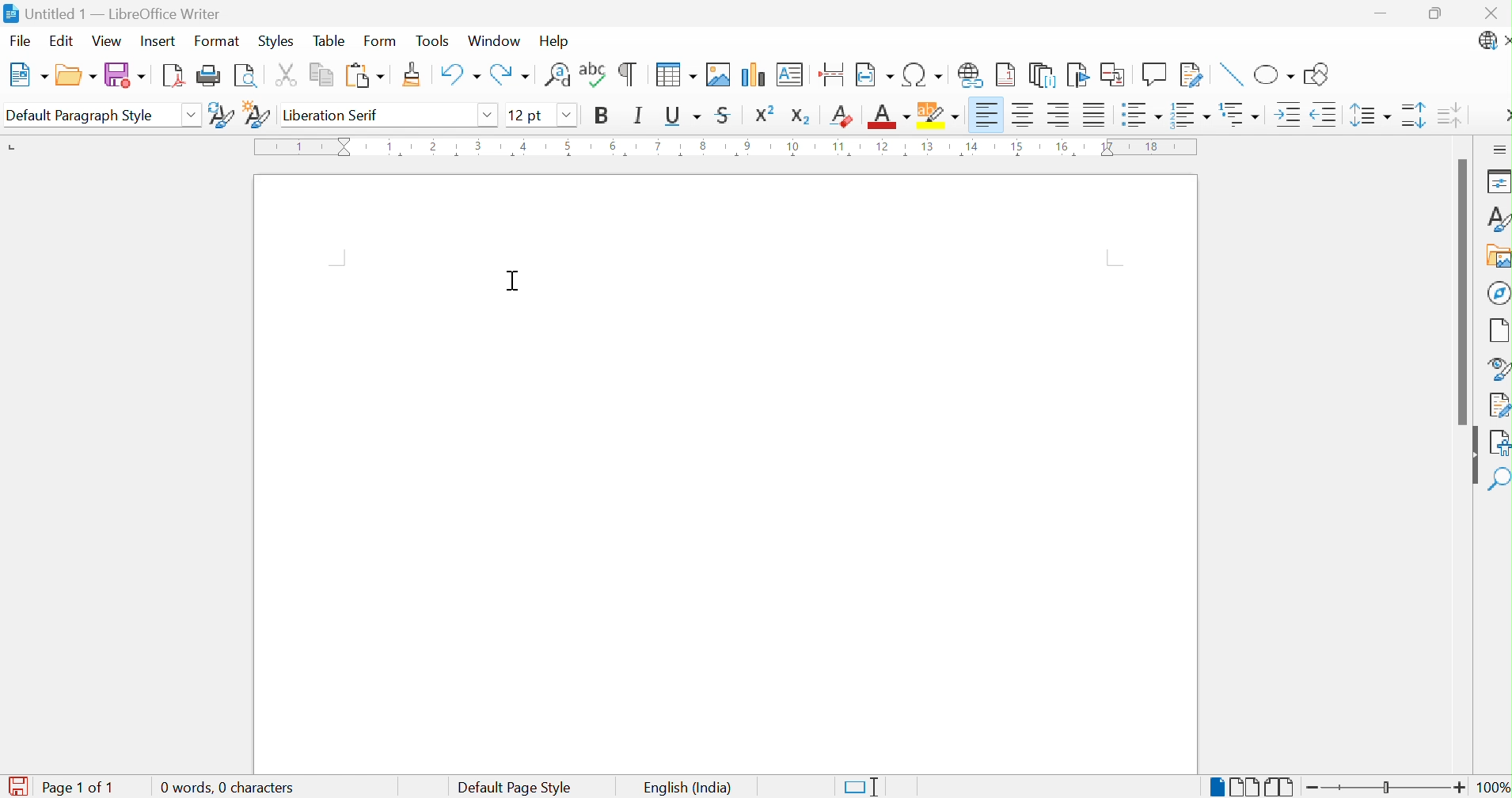 The width and height of the screenshot is (1512, 798). What do you see at coordinates (1460, 786) in the screenshot?
I see `Zoom In` at bounding box center [1460, 786].